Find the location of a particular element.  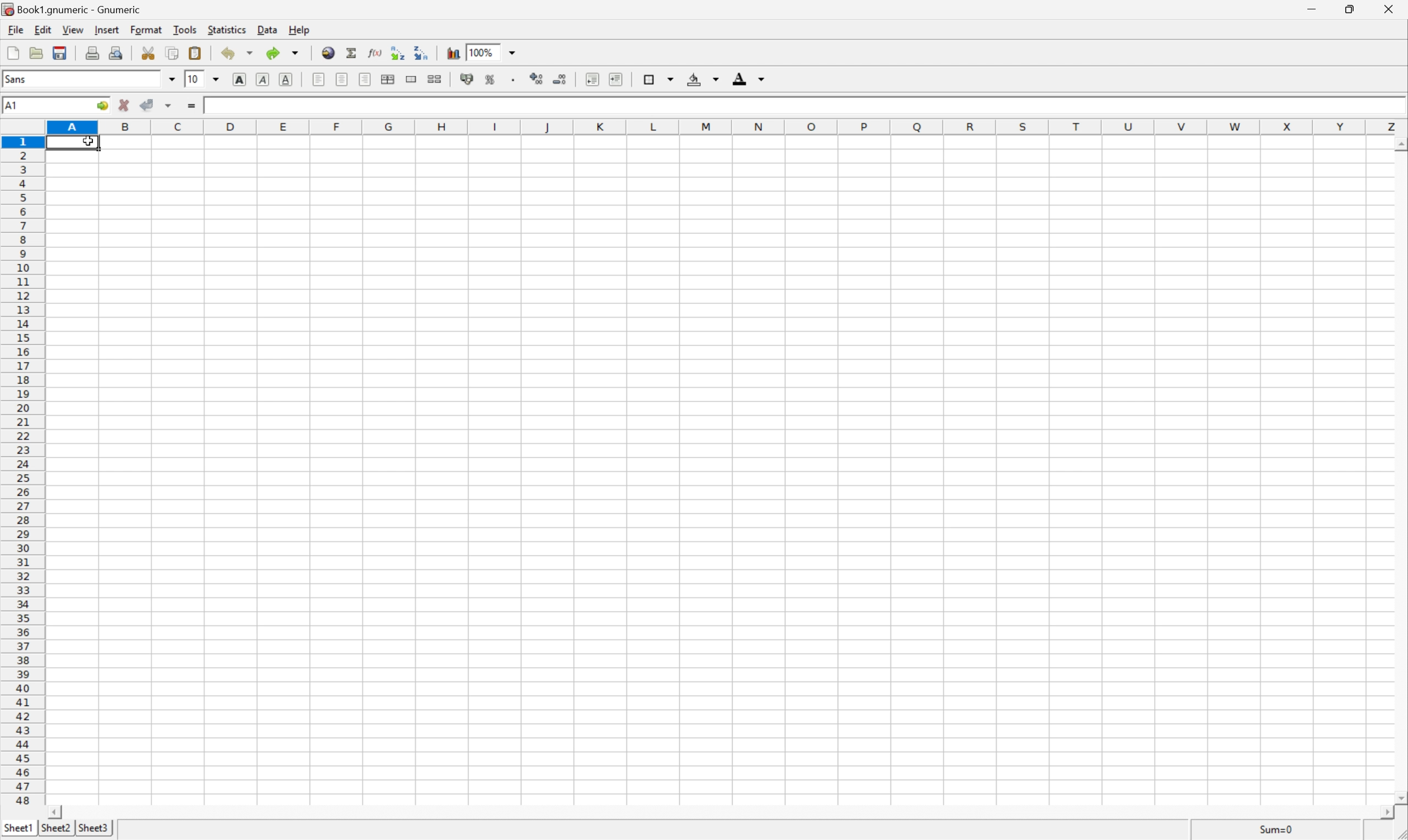

borders is located at coordinates (657, 78).